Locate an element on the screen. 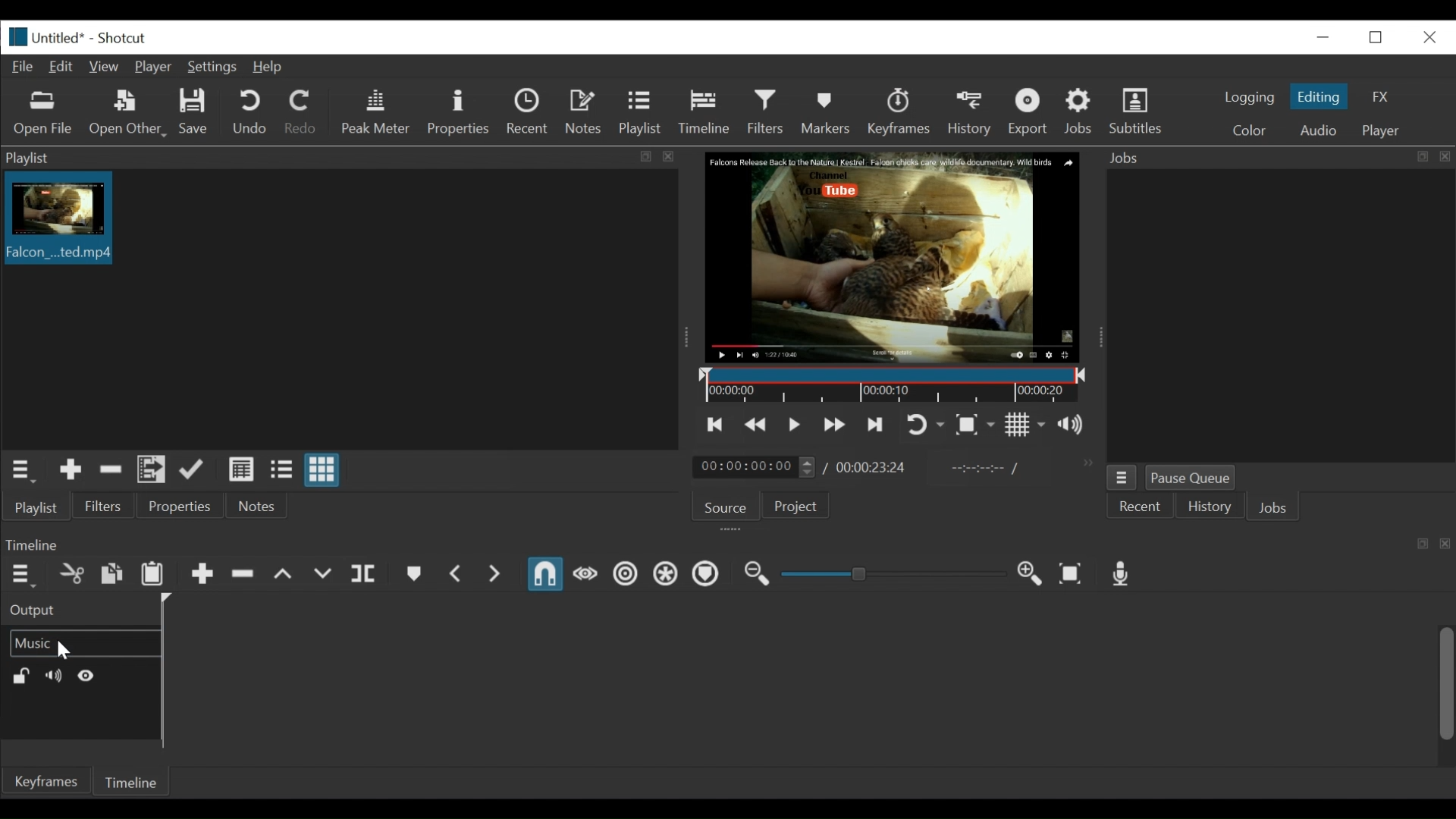 The width and height of the screenshot is (1456, 819). Settings is located at coordinates (212, 66).